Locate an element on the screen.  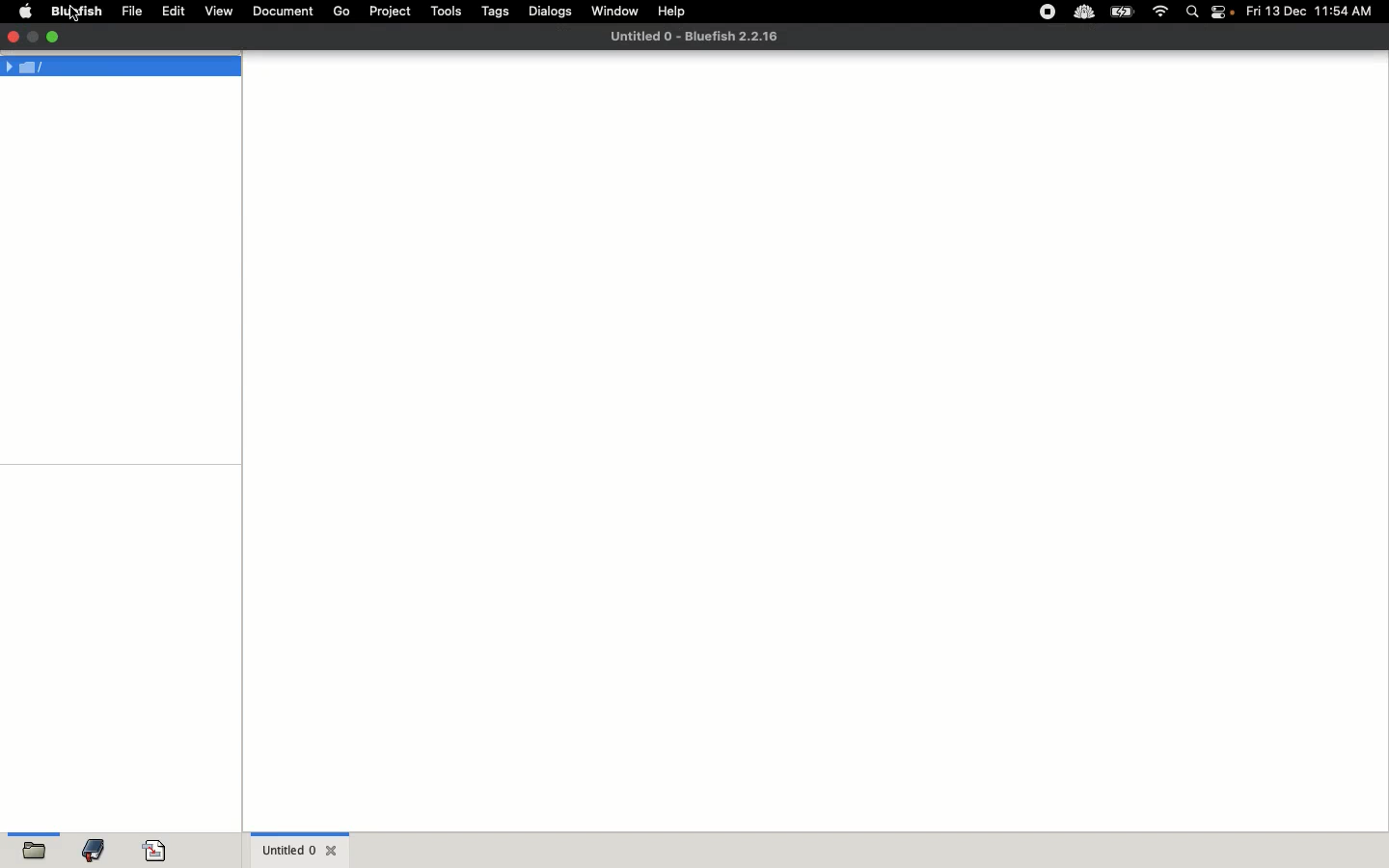
Edit is located at coordinates (174, 11).